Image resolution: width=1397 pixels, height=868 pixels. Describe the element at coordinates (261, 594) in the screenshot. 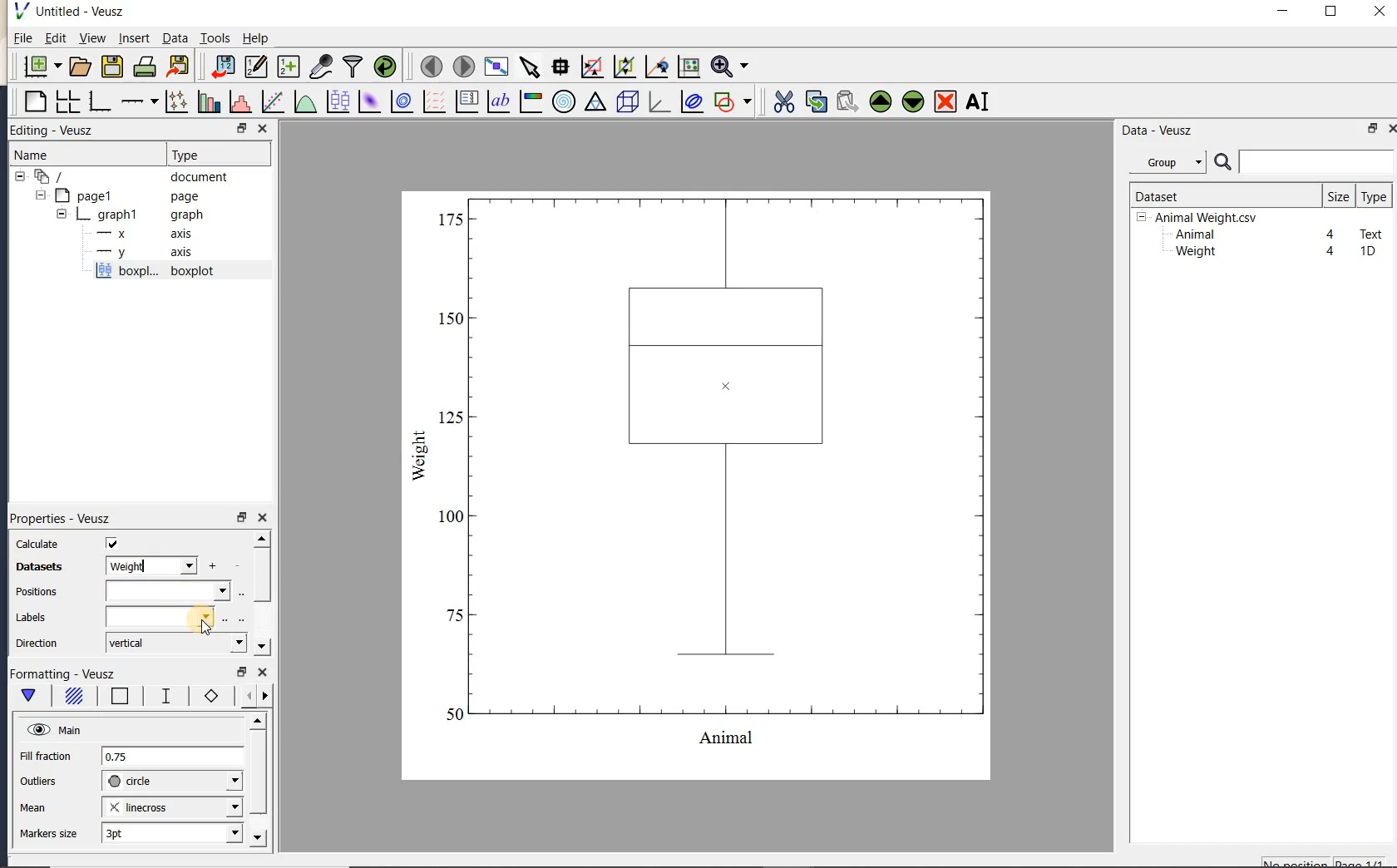

I see `scrollbar` at that location.